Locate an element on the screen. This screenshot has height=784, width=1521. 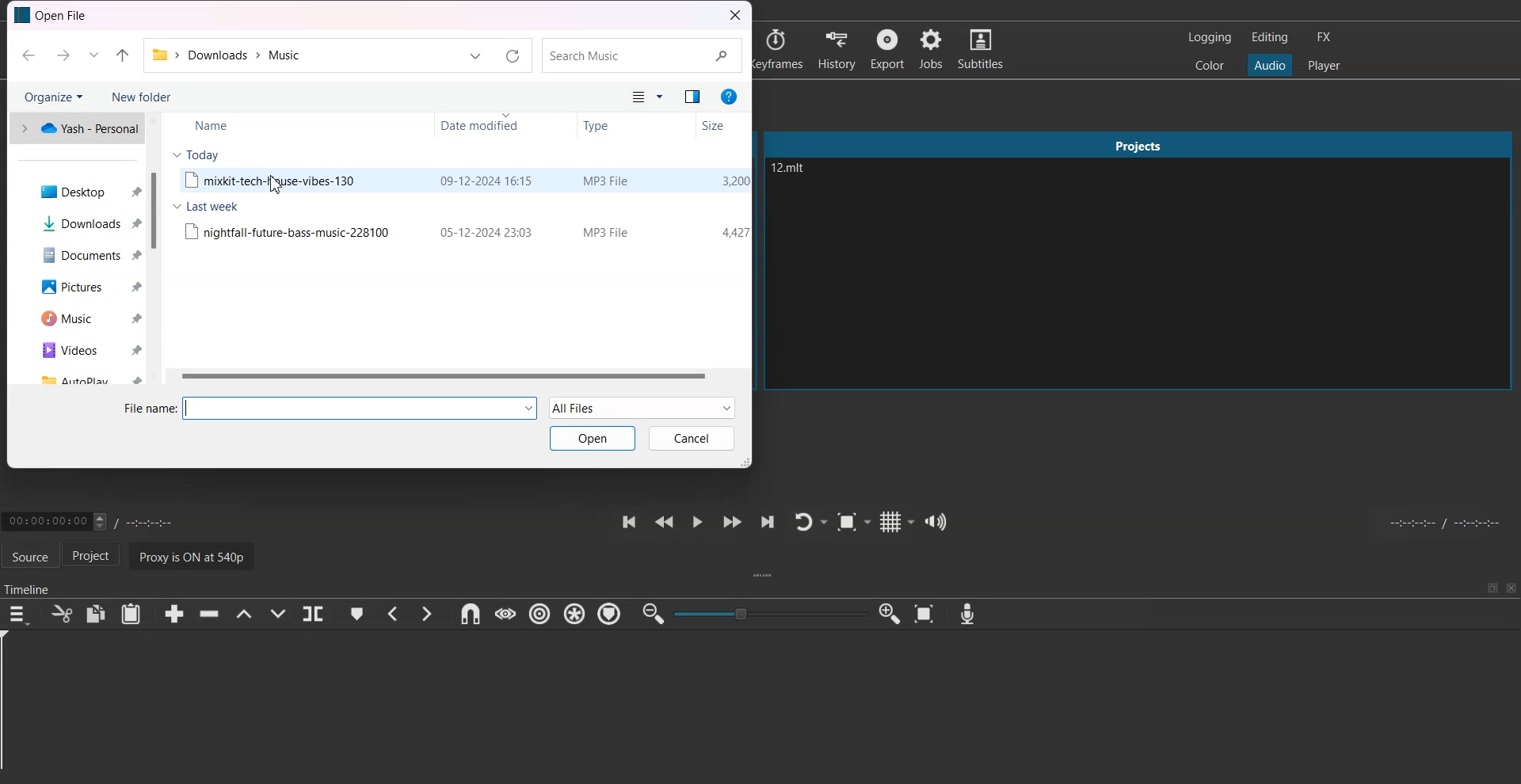
Split on playhead is located at coordinates (314, 614).